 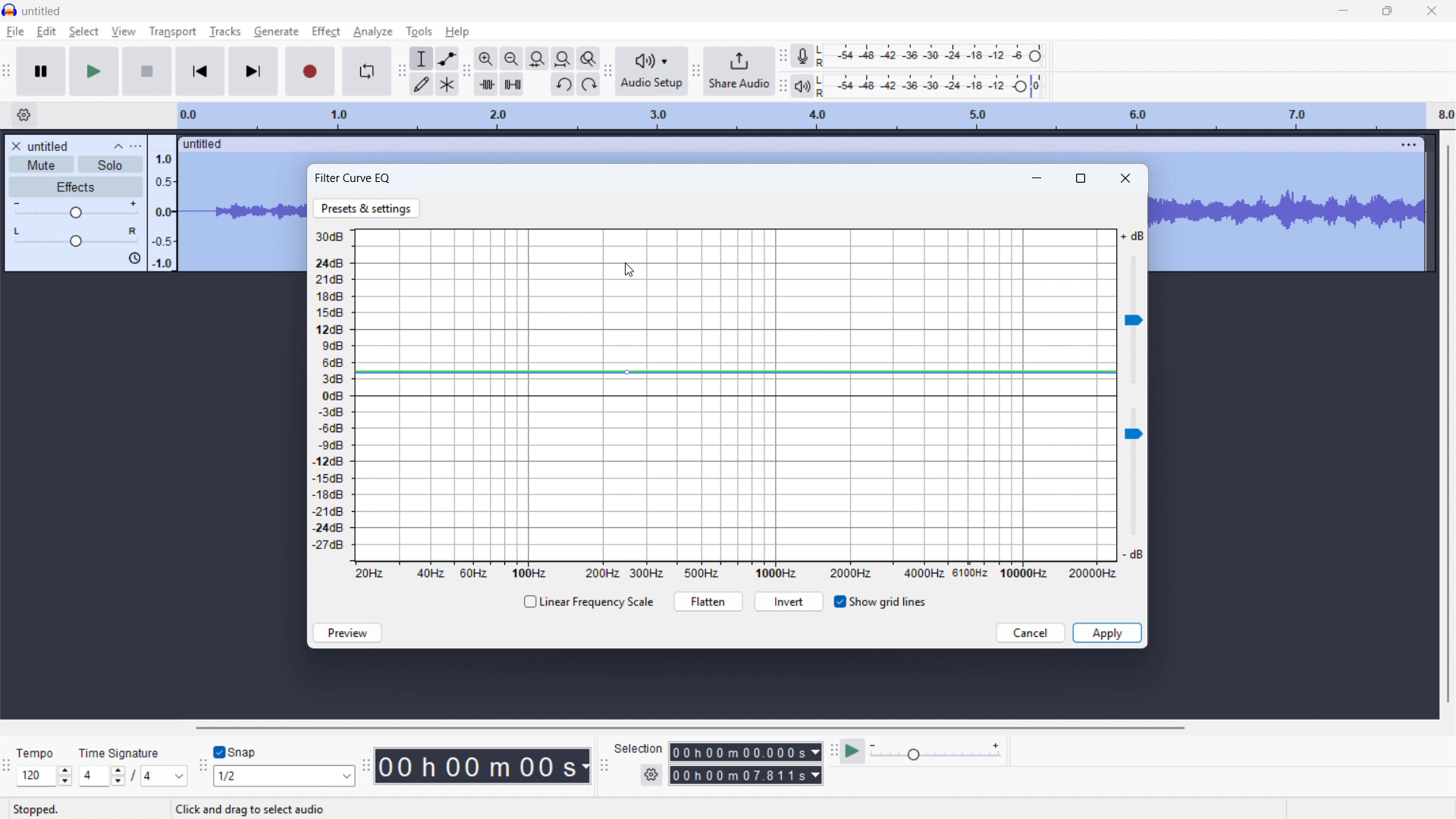 I want to click on record, so click(x=310, y=72).